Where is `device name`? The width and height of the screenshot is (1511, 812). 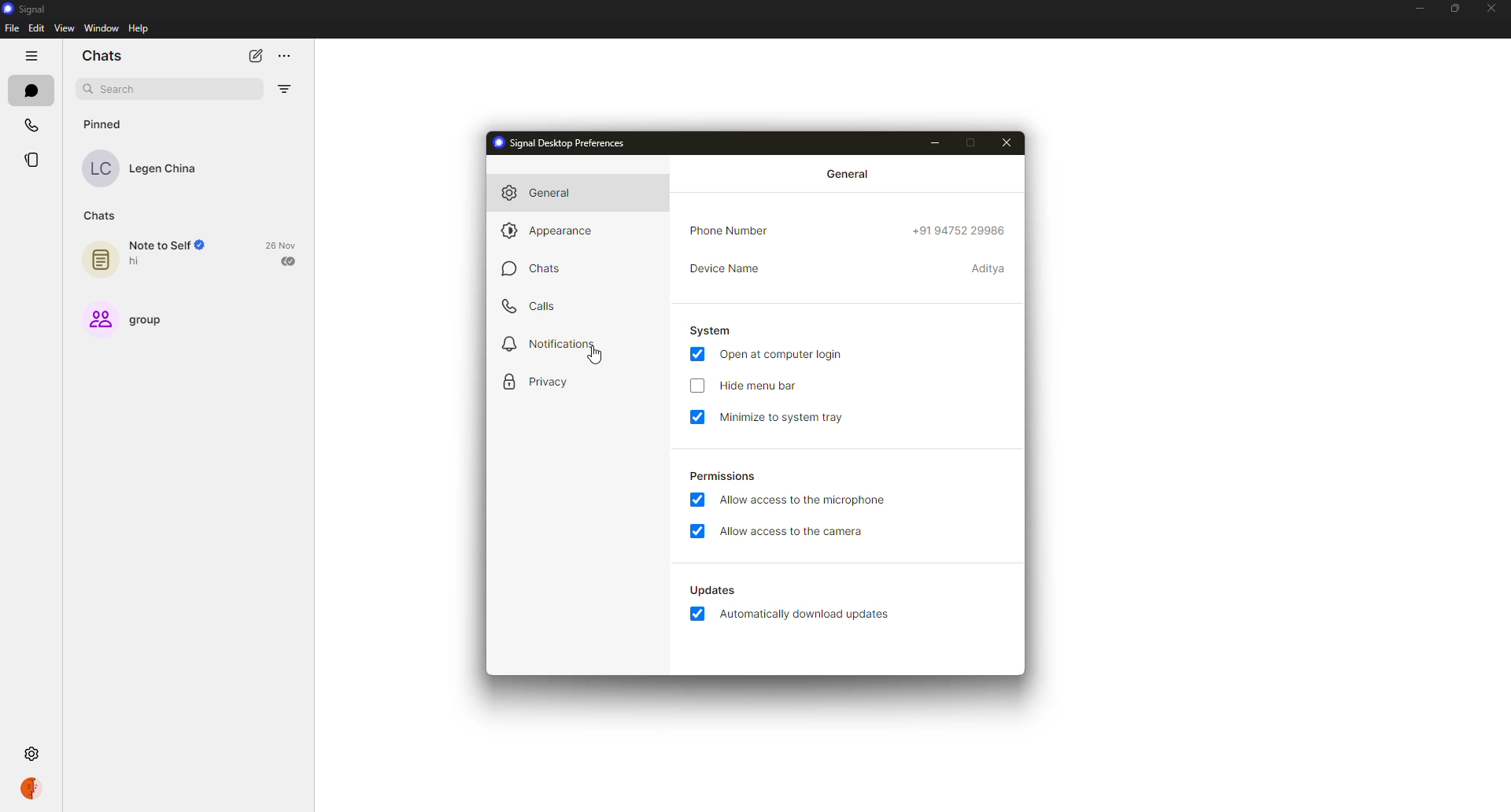 device name is located at coordinates (729, 268).